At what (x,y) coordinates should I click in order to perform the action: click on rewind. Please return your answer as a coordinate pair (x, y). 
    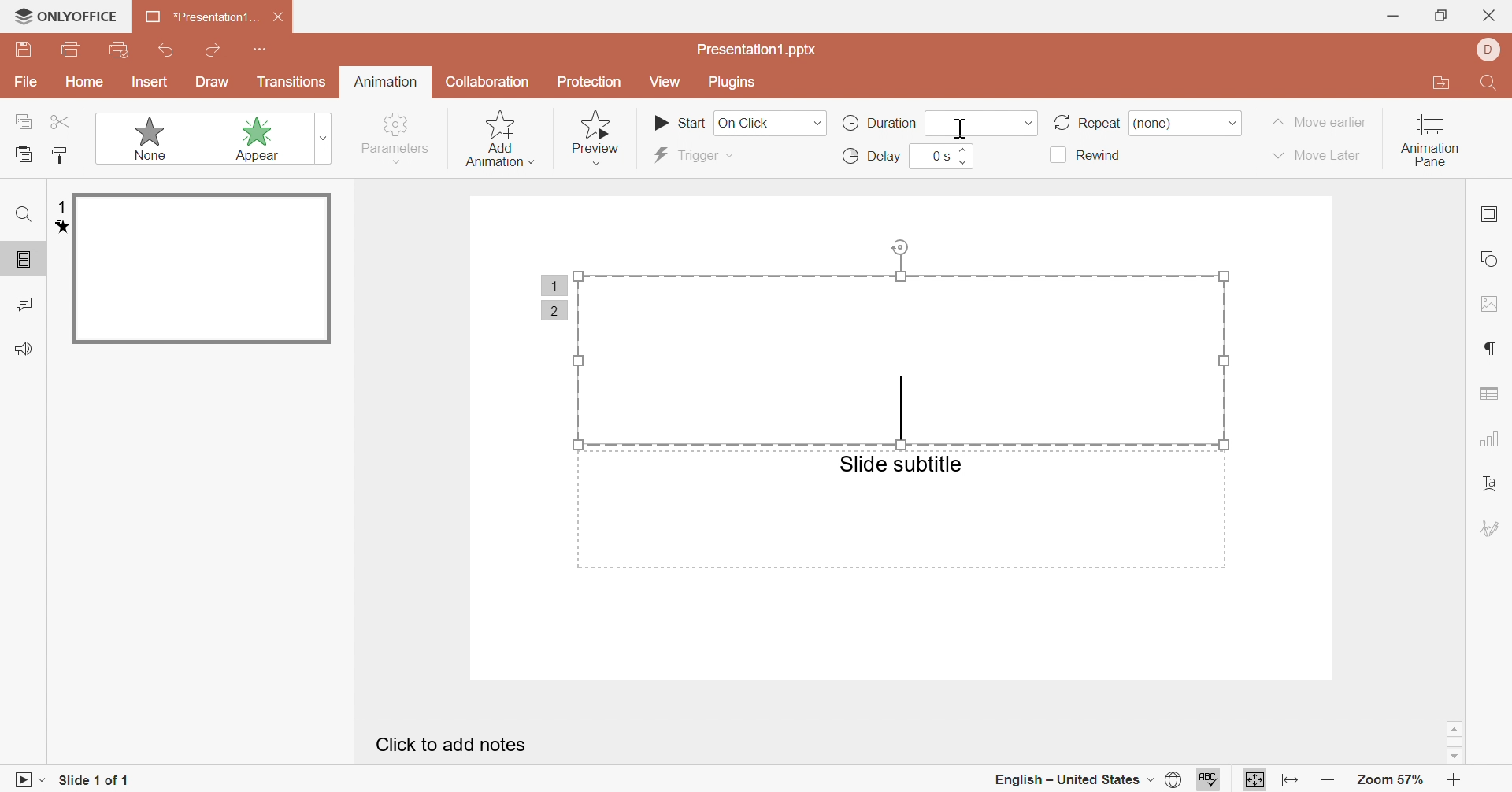
    Looking at the image, I should click on (1087, 156).